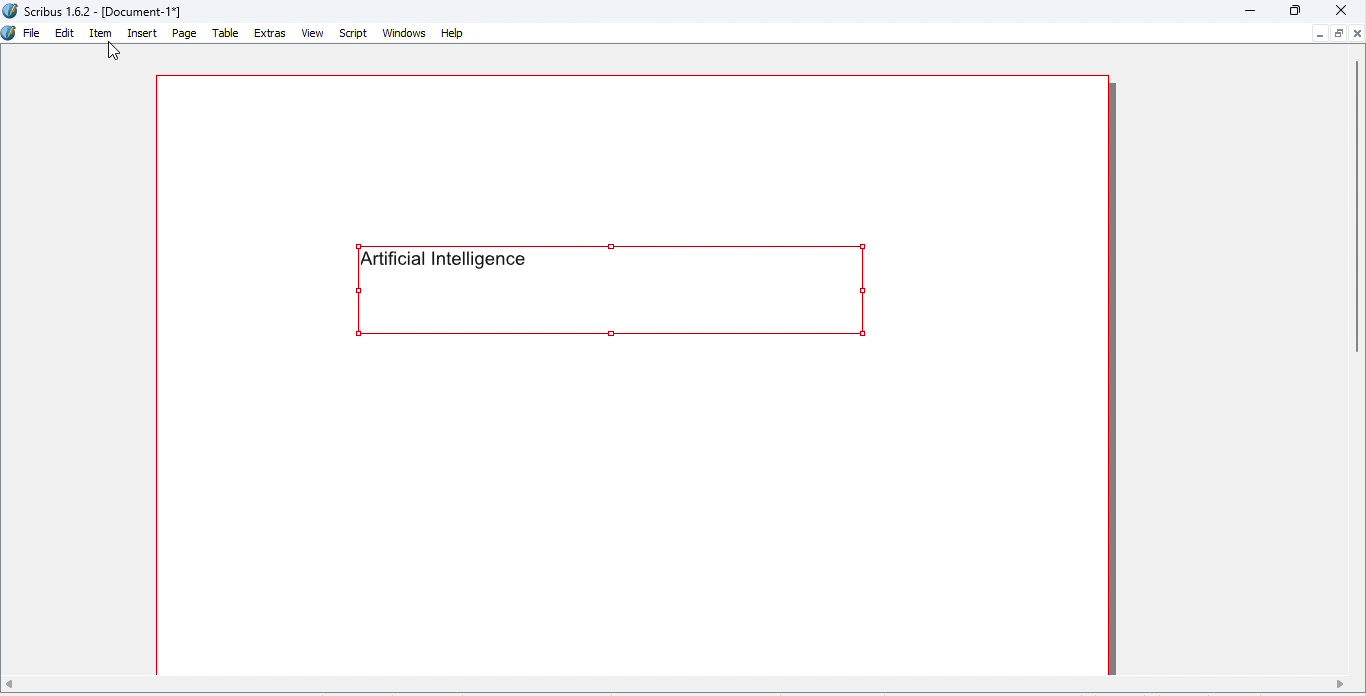  What do you see at coordinates (1358, 34) in the screenshot?
I see `Close document` at bounding box center [1358, 34].